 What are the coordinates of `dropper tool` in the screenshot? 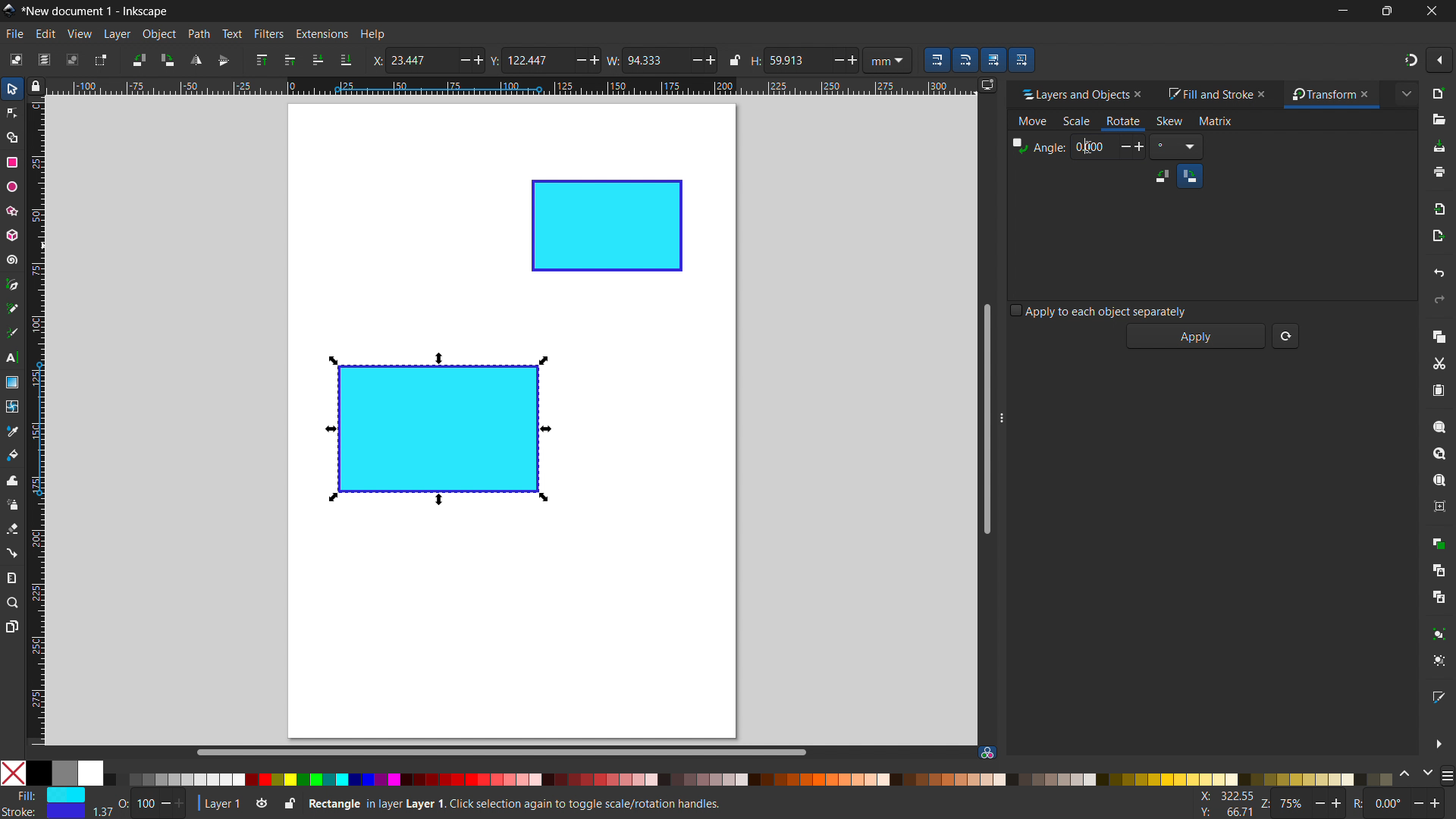 It's located at (12, 431).